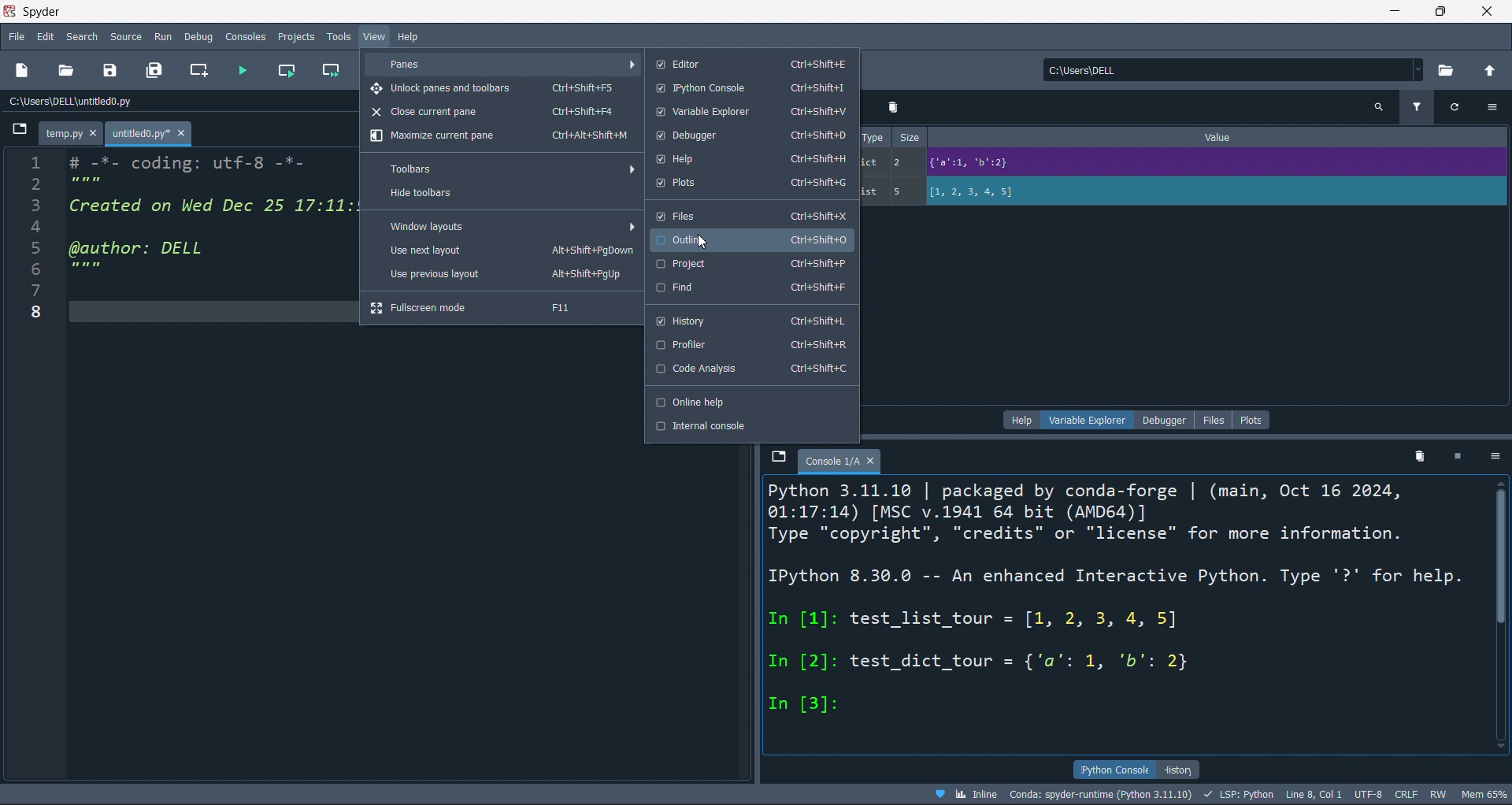 Image resolution: width=1512 pixels, height=805 pixels. Describe the element at coordinates (1220, 135) in the screenshot. I see `value` at that location.